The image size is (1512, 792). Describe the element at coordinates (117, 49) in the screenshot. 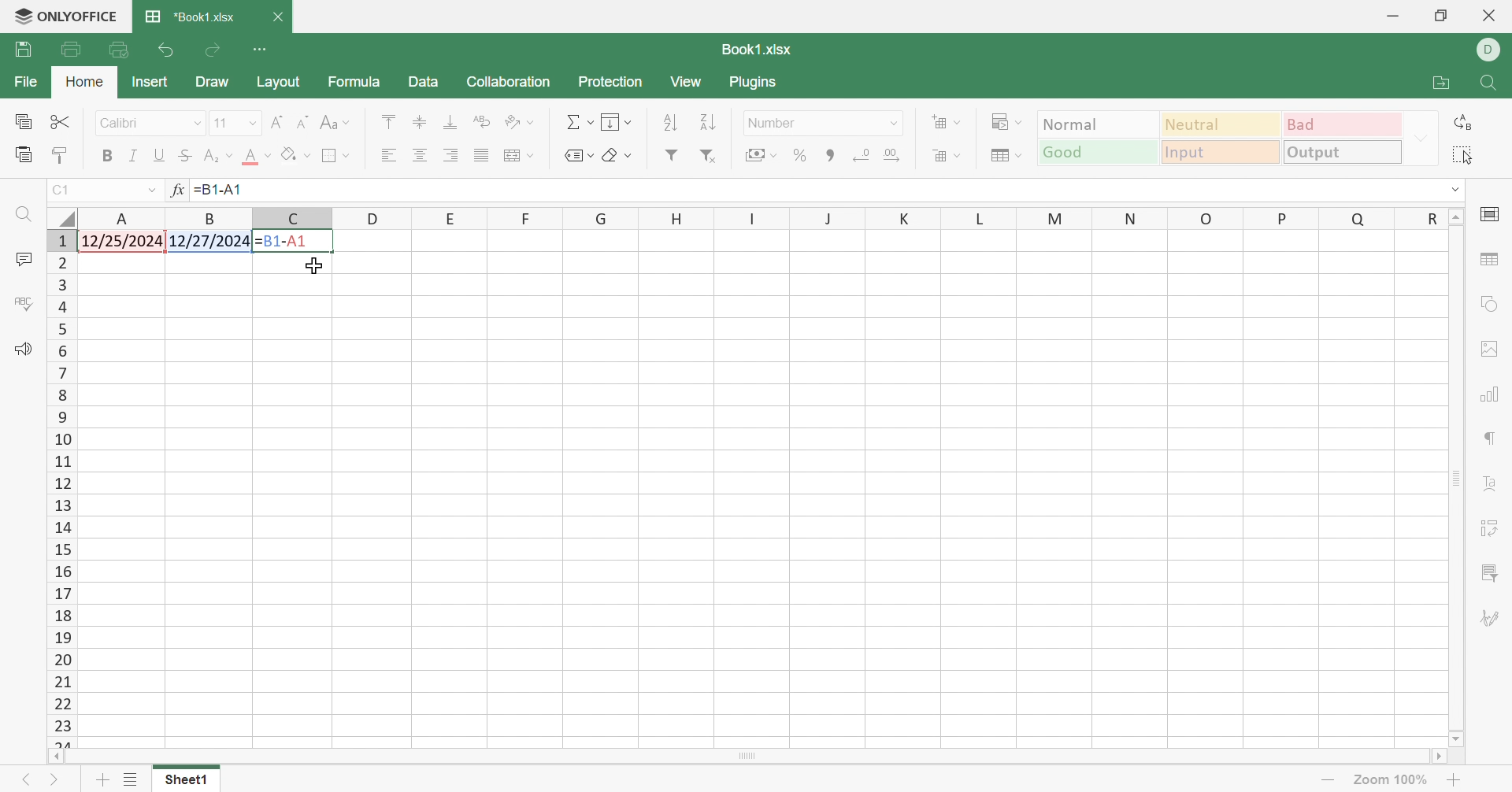

I see `Quick Print` at that location.